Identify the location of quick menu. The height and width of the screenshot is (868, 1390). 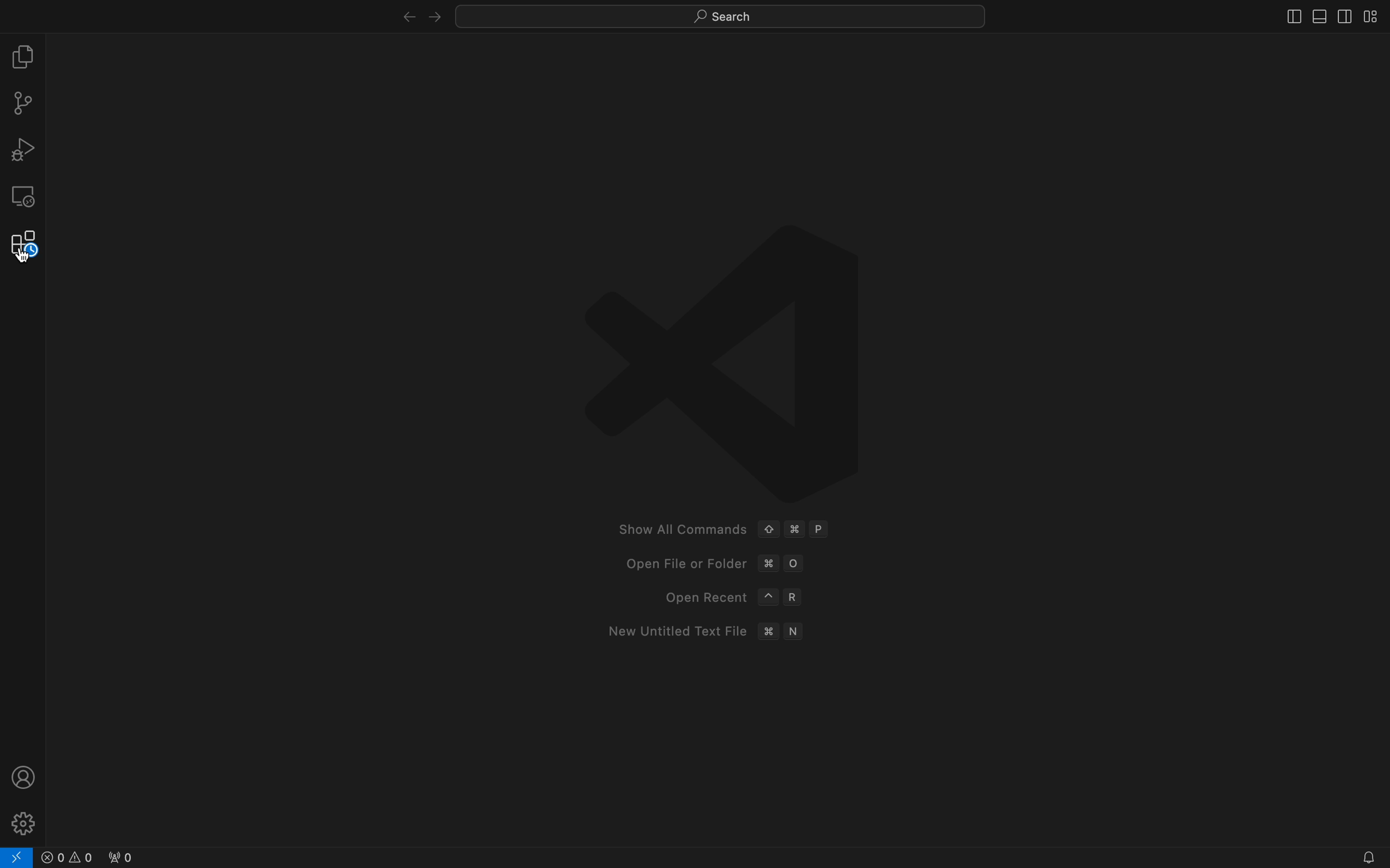
(719, 13).